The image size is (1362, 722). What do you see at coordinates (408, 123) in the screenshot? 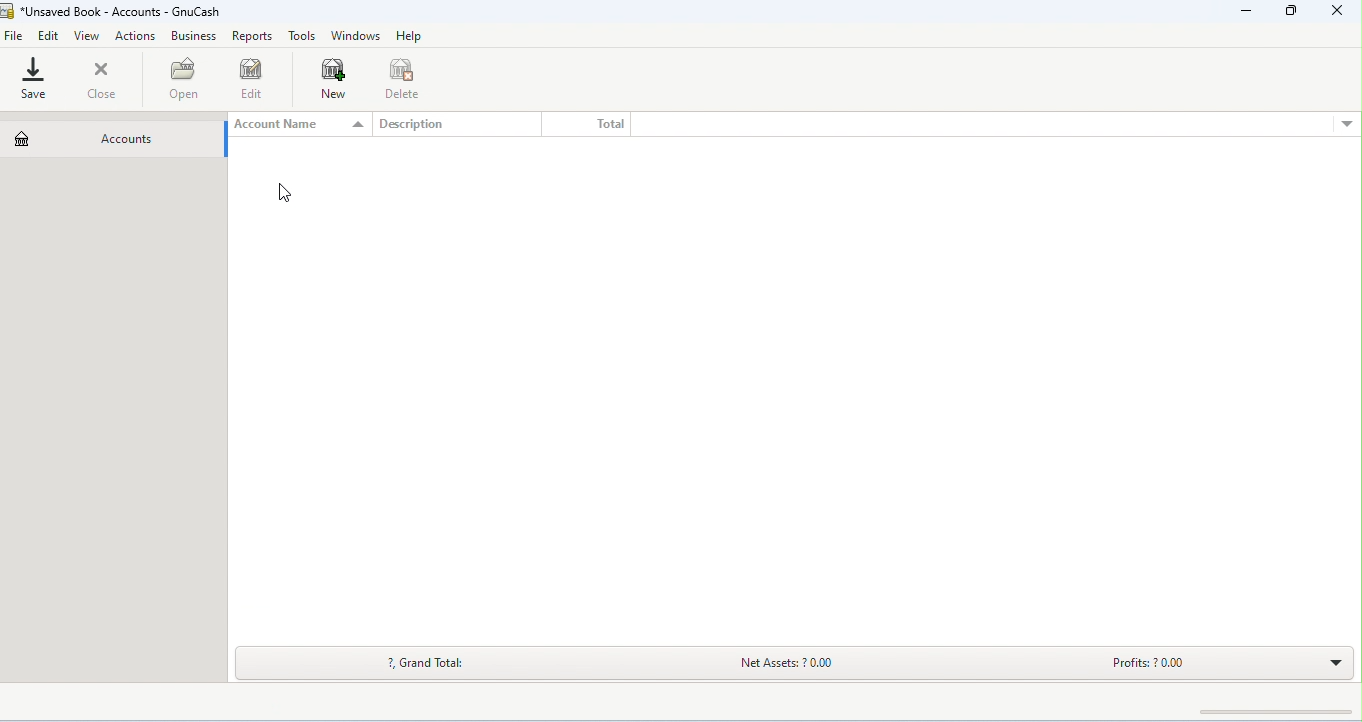
I see `description` at bounding box center [408, 123].